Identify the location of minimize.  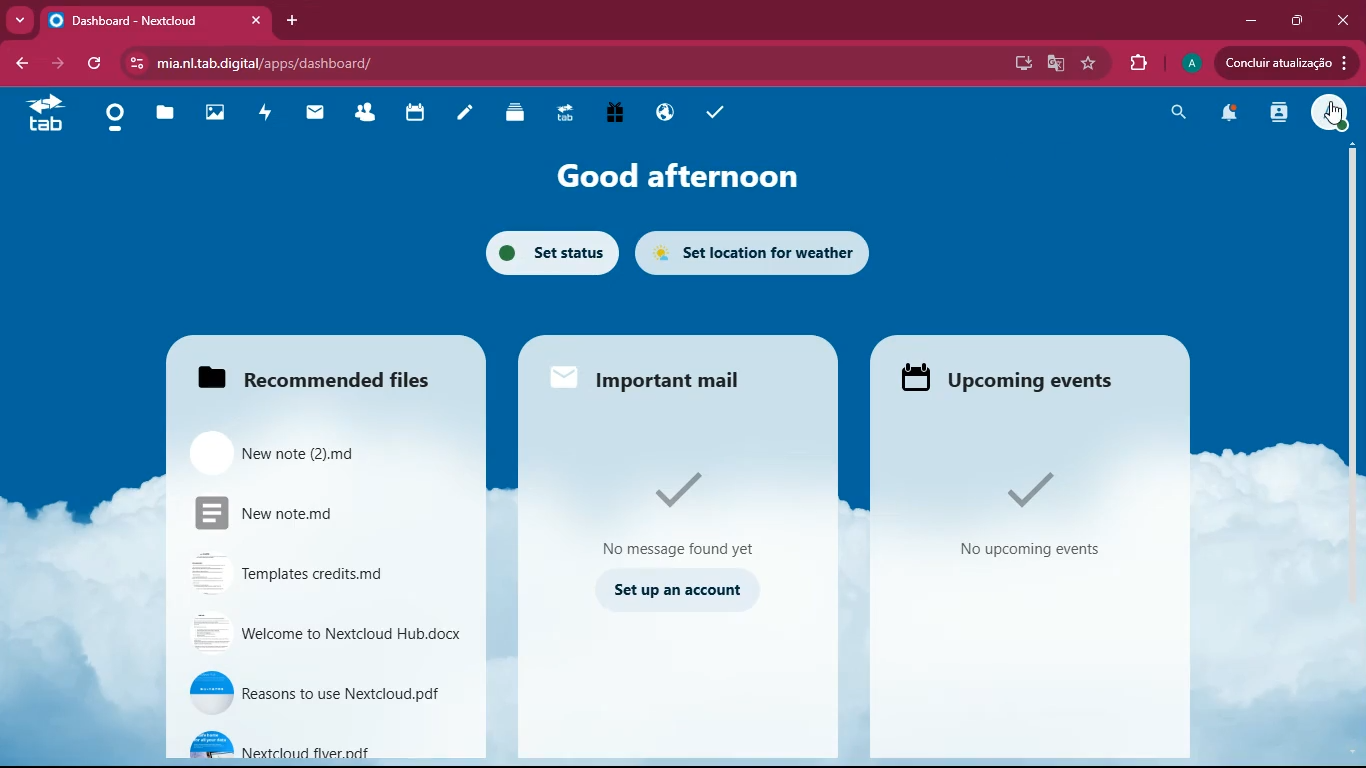
(1245, 22).